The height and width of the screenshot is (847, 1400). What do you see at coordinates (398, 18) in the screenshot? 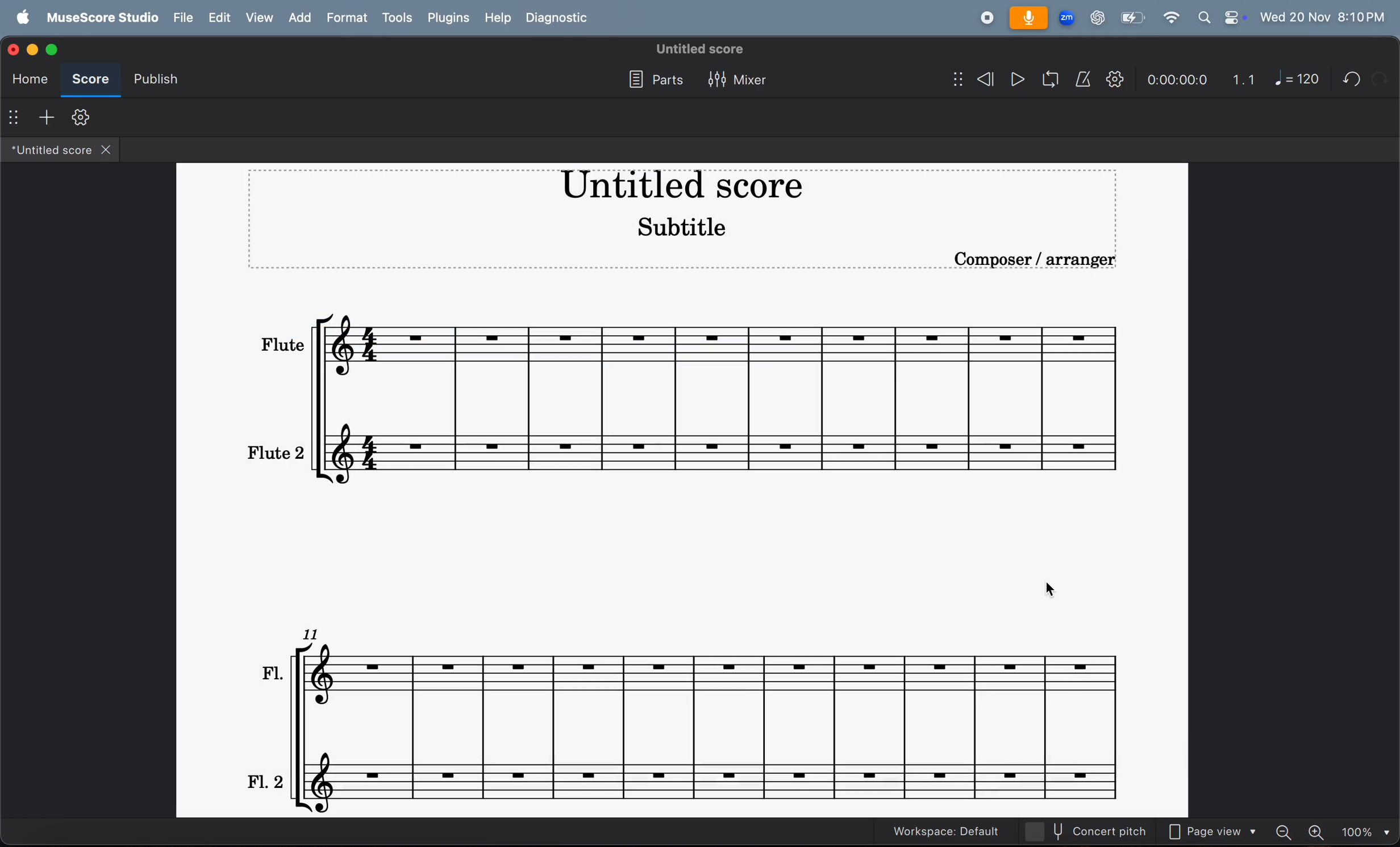
I see `tools` at bounding box center [398, 18].